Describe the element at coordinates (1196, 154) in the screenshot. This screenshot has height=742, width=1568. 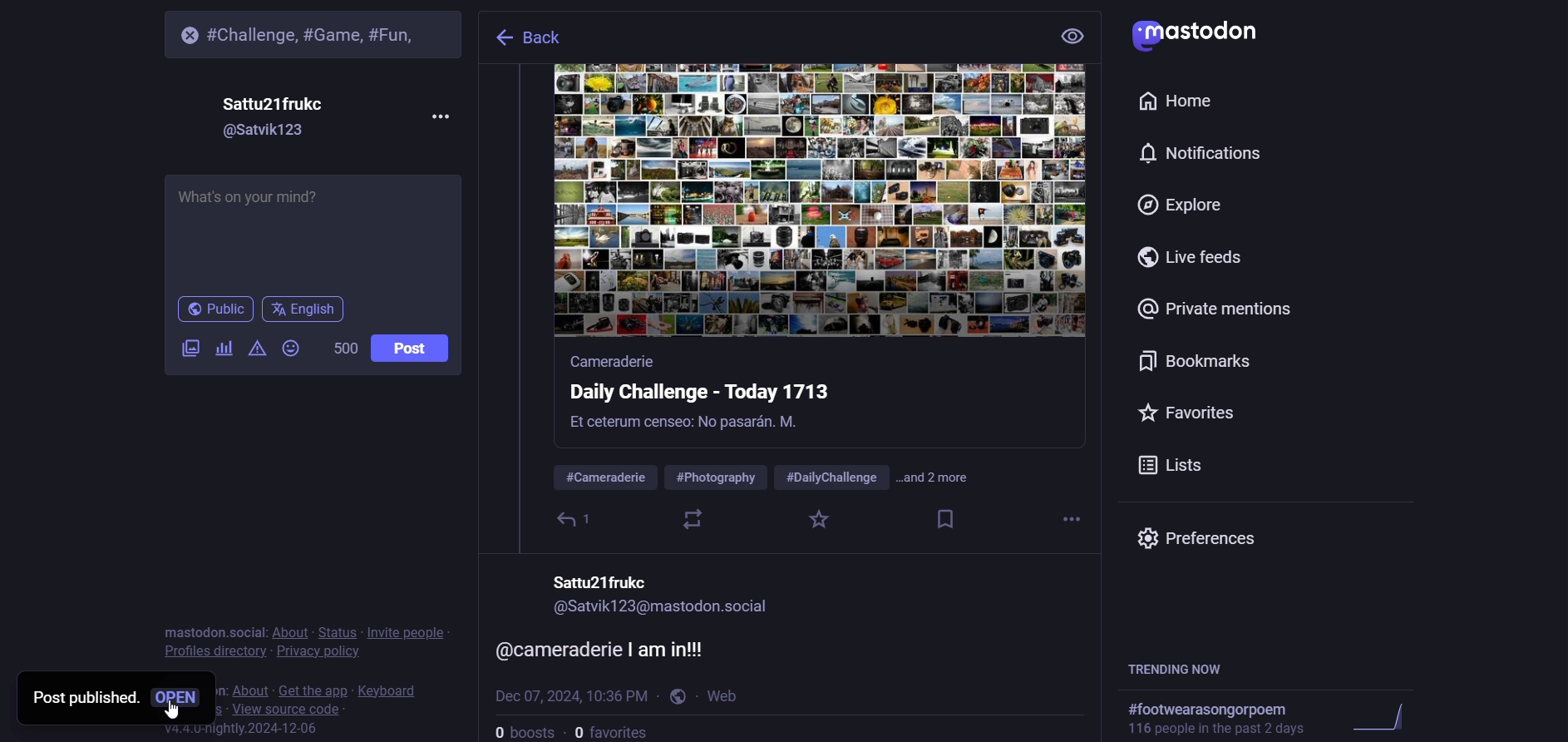
I see `notification` at that location.